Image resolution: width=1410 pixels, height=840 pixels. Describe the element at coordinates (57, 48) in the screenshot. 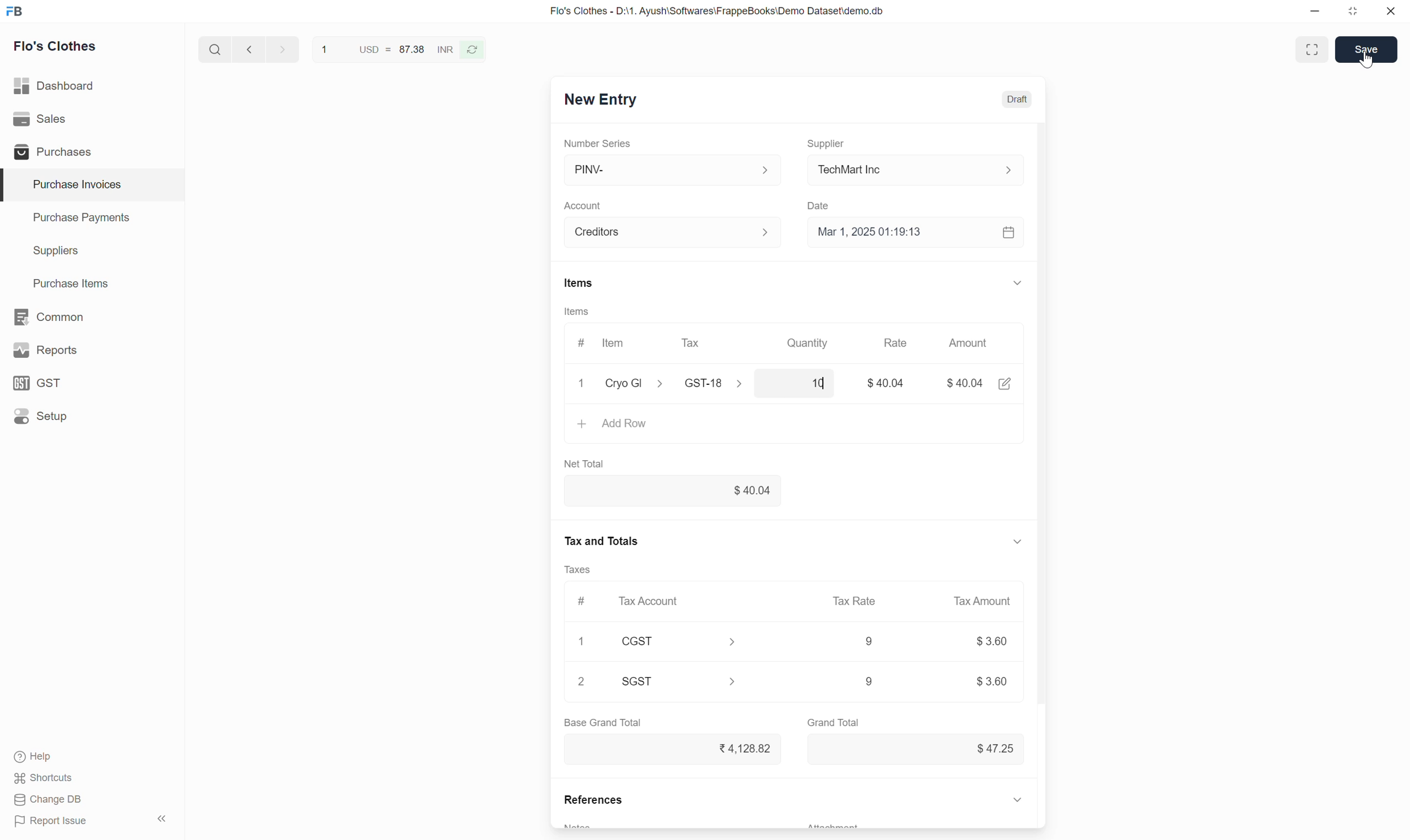

I see `Flo's Clothes` at that location.